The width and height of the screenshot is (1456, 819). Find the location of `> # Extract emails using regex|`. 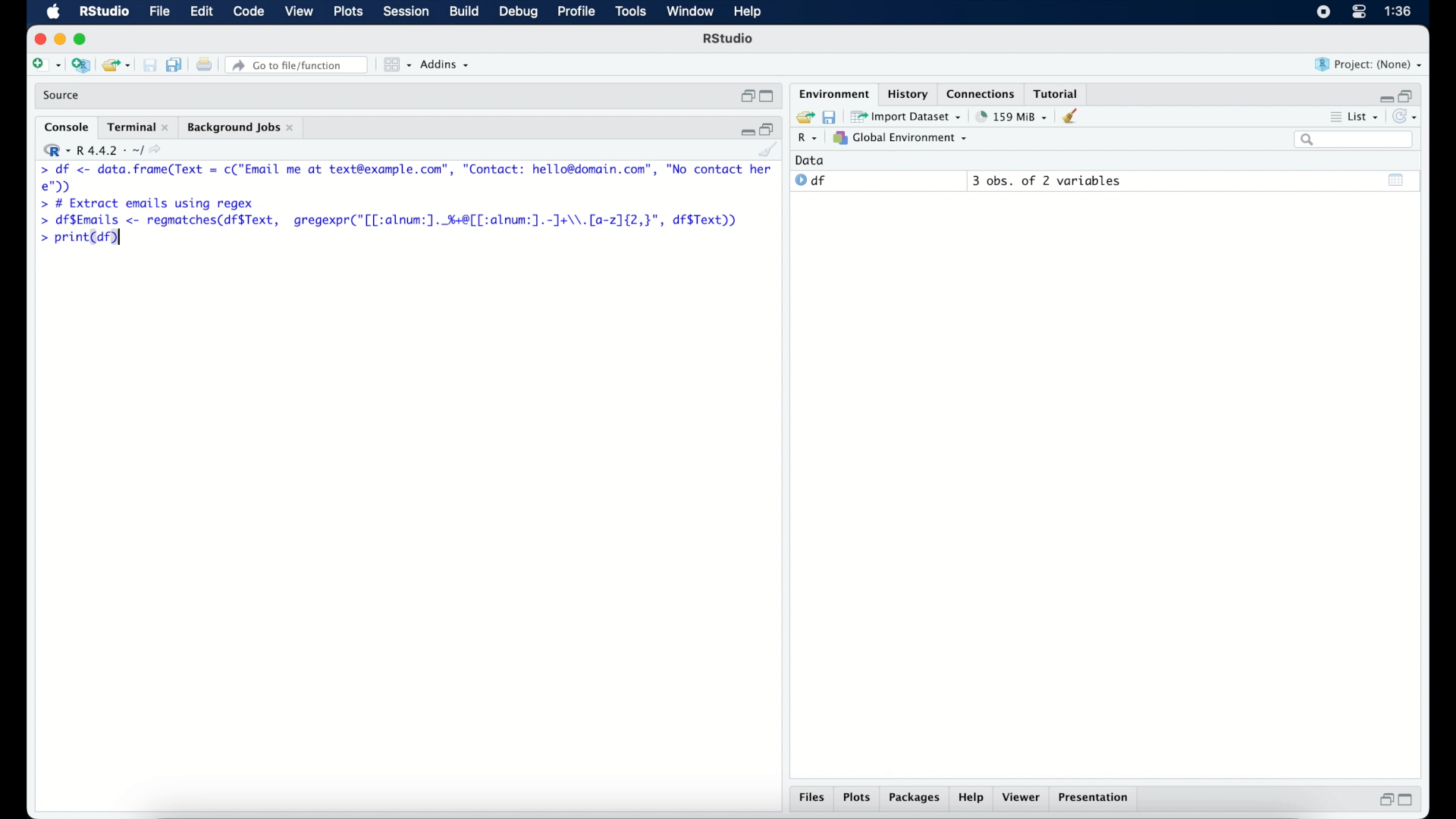

> # Extract emails using regex| is located at coordinates (146, 202).